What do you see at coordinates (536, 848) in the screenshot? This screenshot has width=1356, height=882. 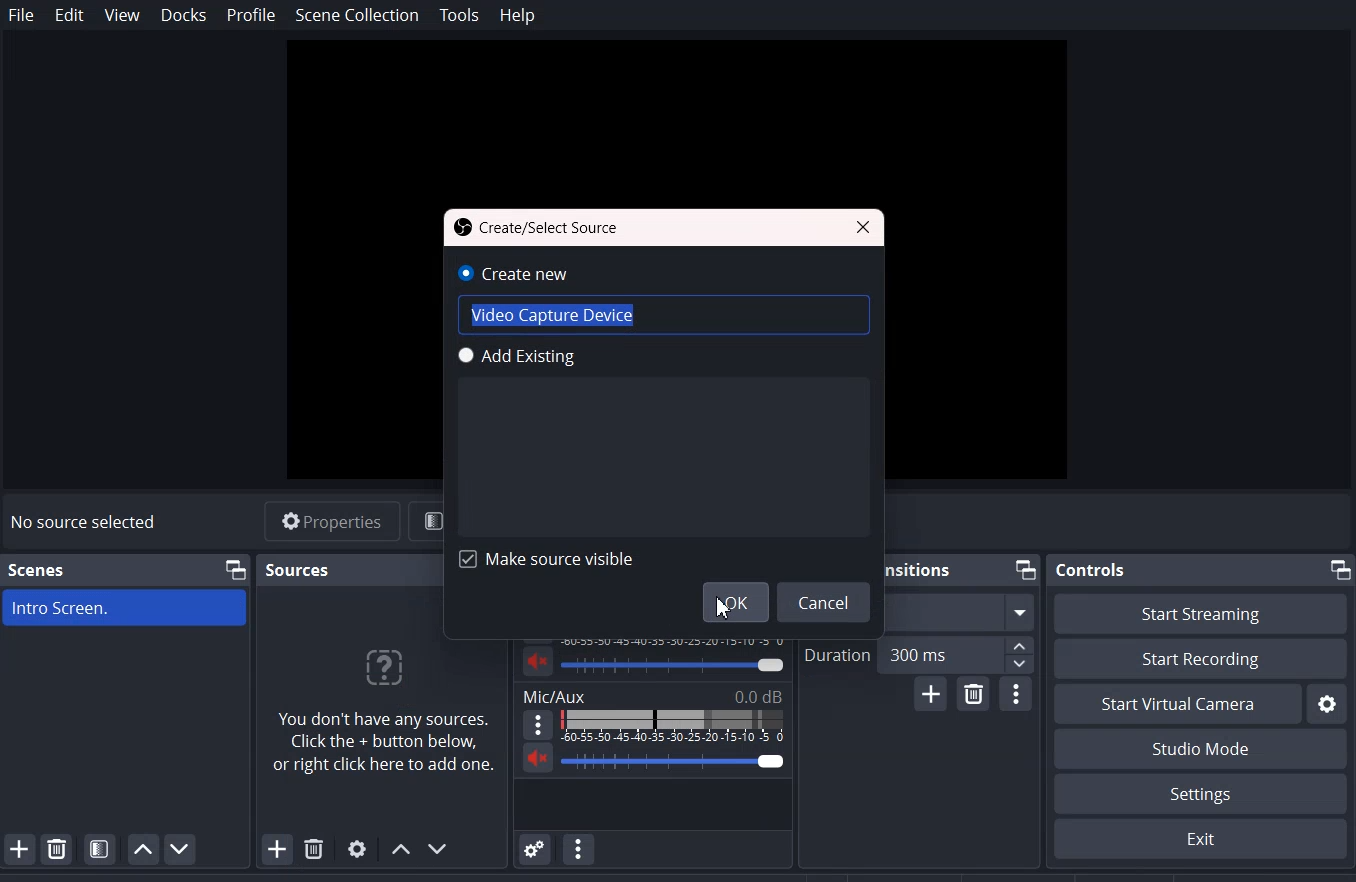 I see `Advance audio properties` at bounding box center [536, 848].